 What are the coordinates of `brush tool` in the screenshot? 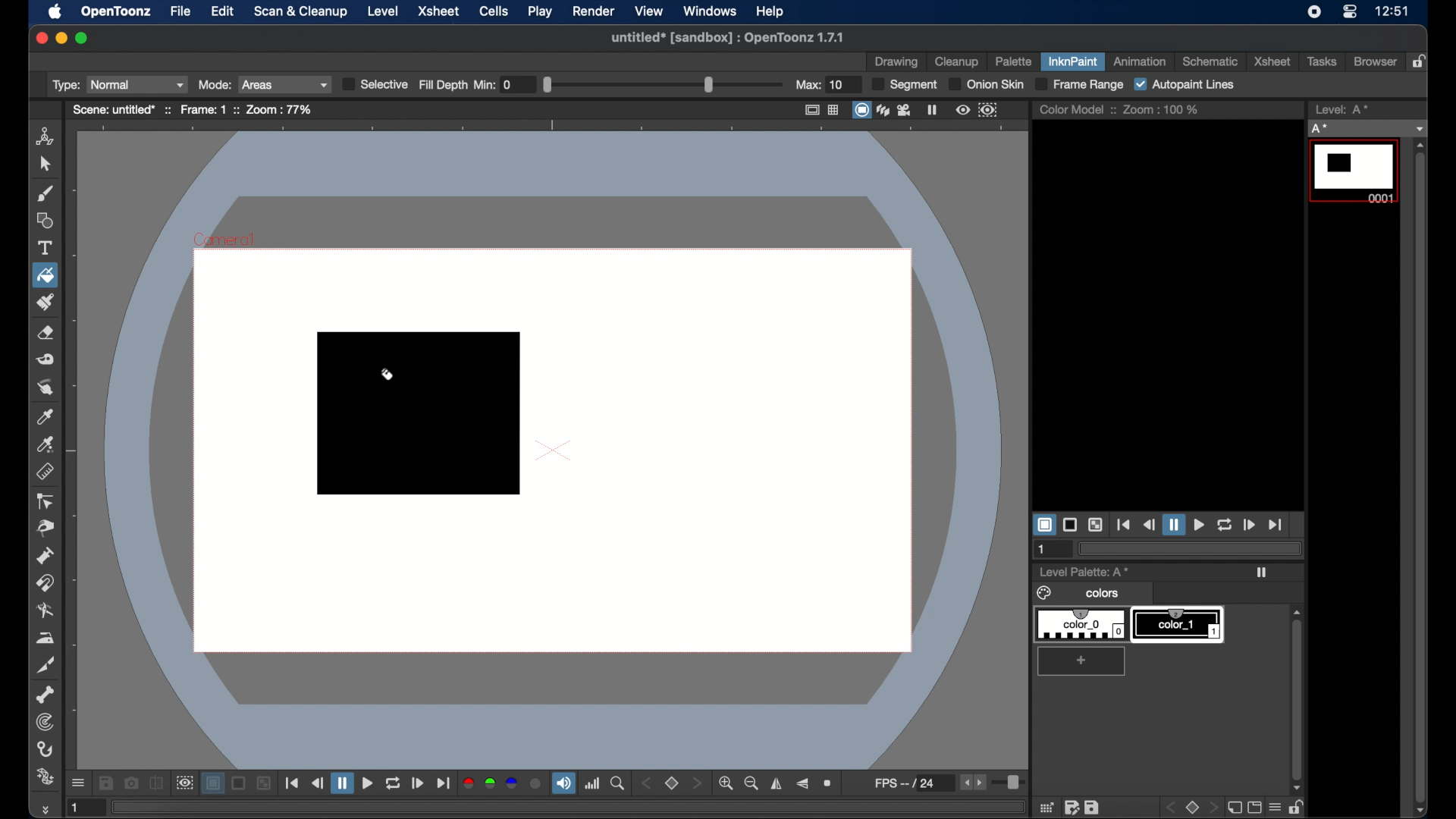 It's located at (45, 194).